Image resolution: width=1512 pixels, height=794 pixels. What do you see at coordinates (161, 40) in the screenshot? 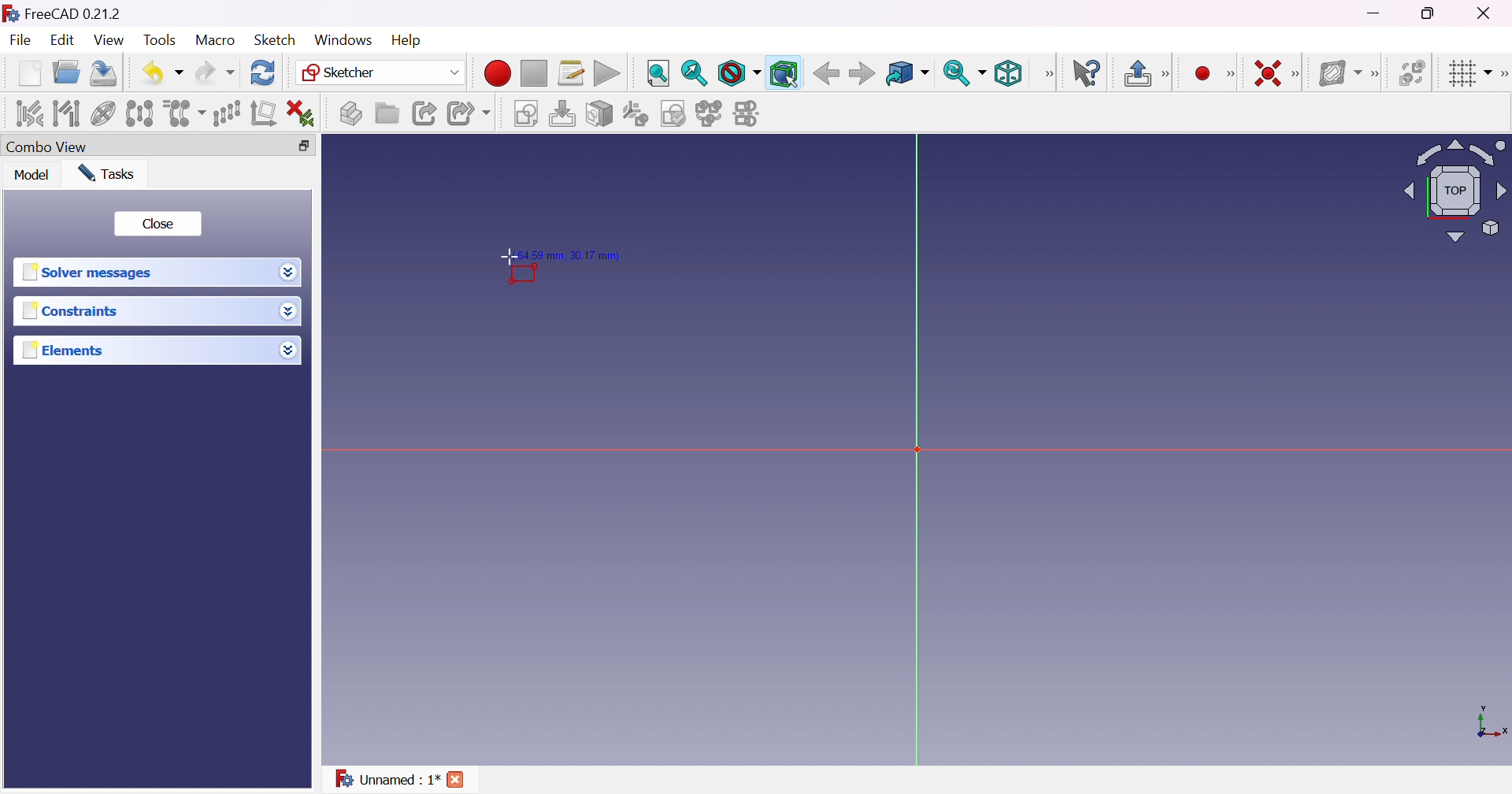
I see `Tools` at bounding box center [161, 40].